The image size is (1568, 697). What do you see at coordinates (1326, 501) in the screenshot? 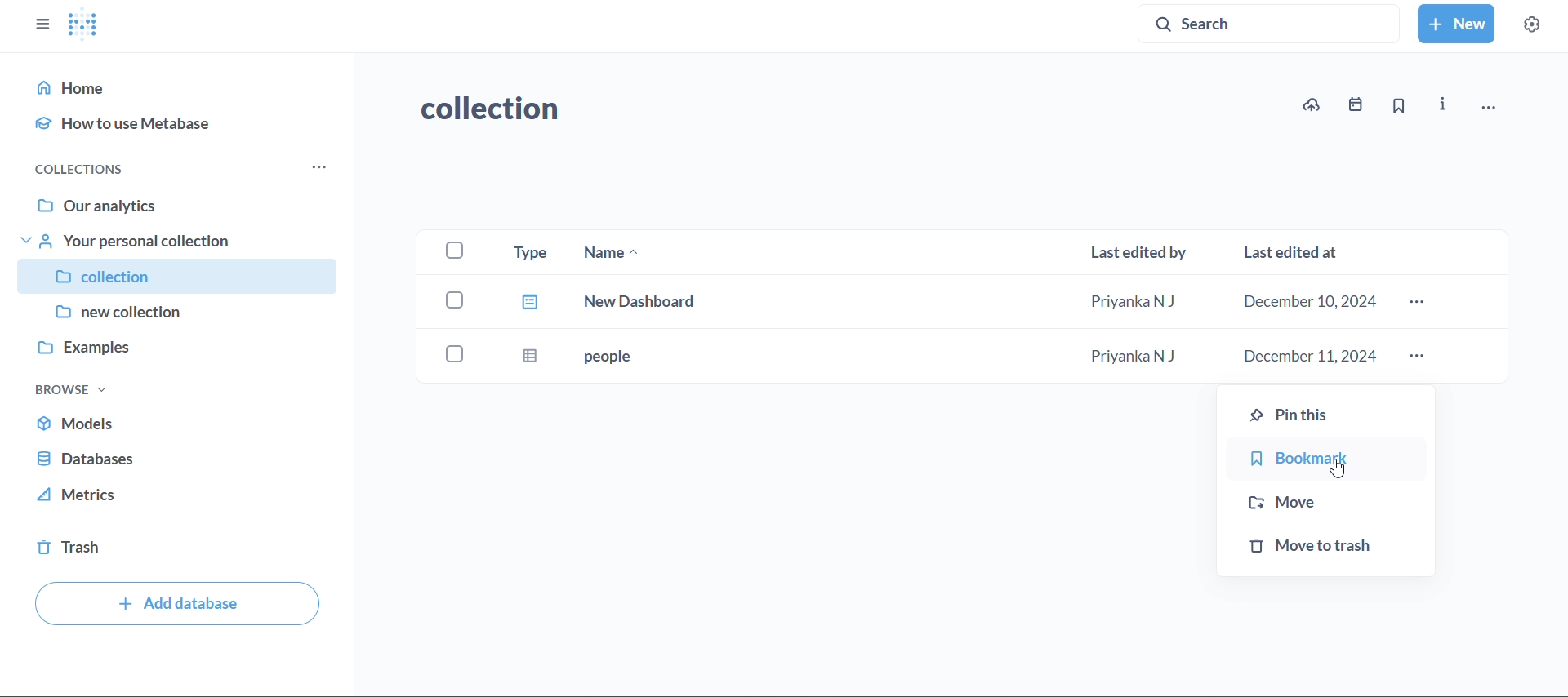
I see `move` at bounding box center [1326, 501].